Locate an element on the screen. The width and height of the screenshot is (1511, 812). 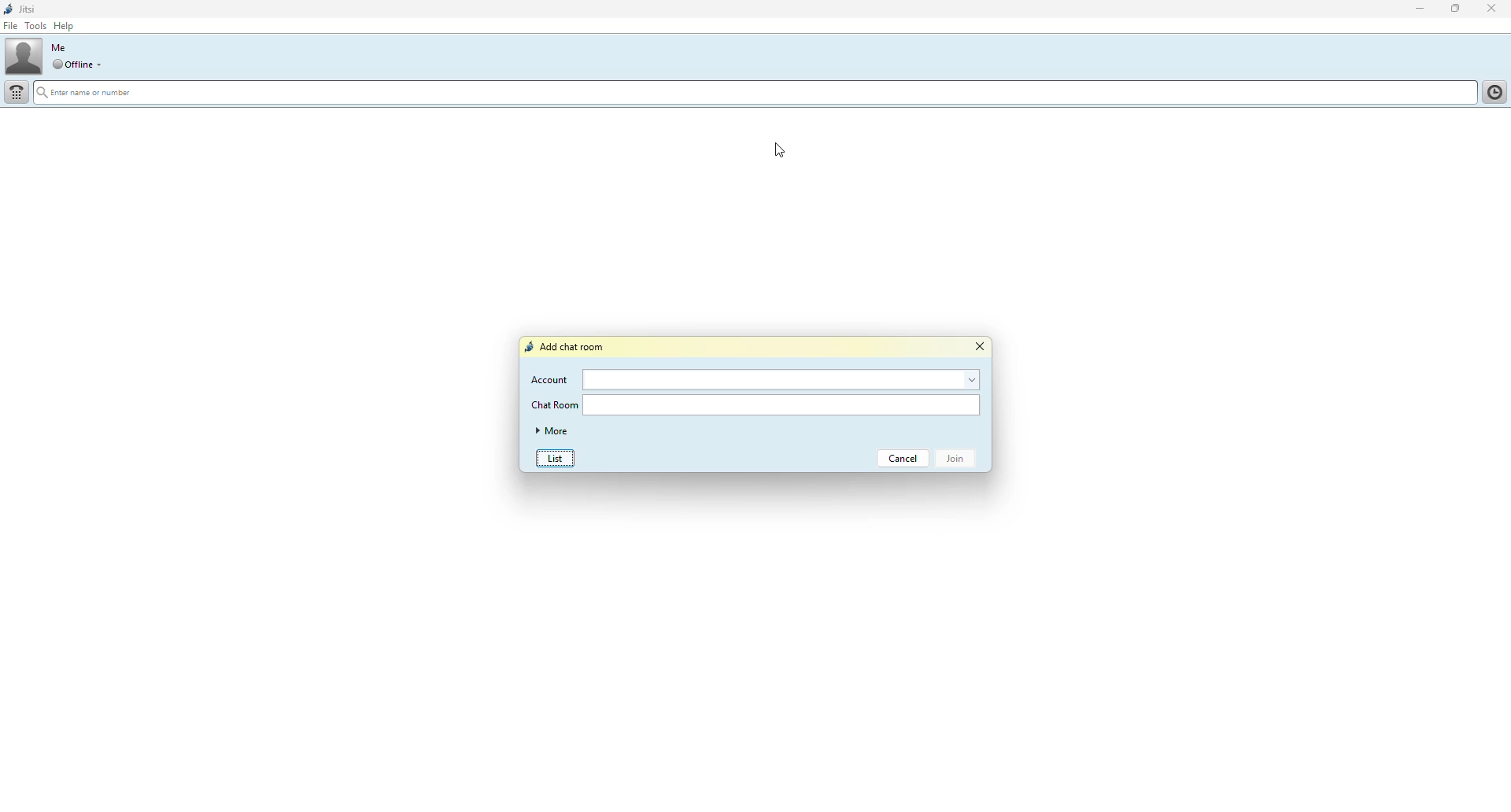
chat room is located at coordinates (557, 405).